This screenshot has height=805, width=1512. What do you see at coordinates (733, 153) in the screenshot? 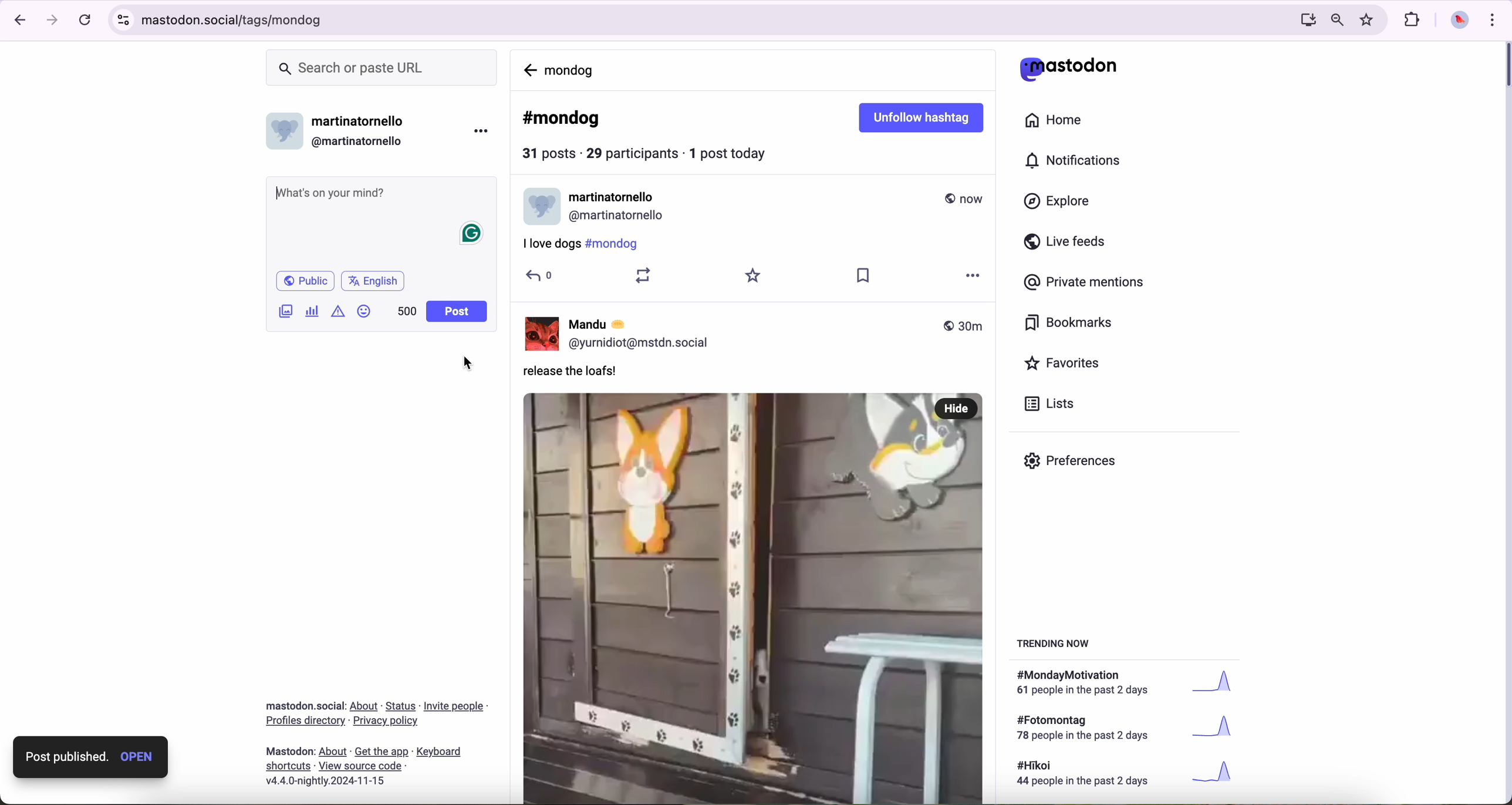
I see `1 post today` at bounding box center [733, 153].